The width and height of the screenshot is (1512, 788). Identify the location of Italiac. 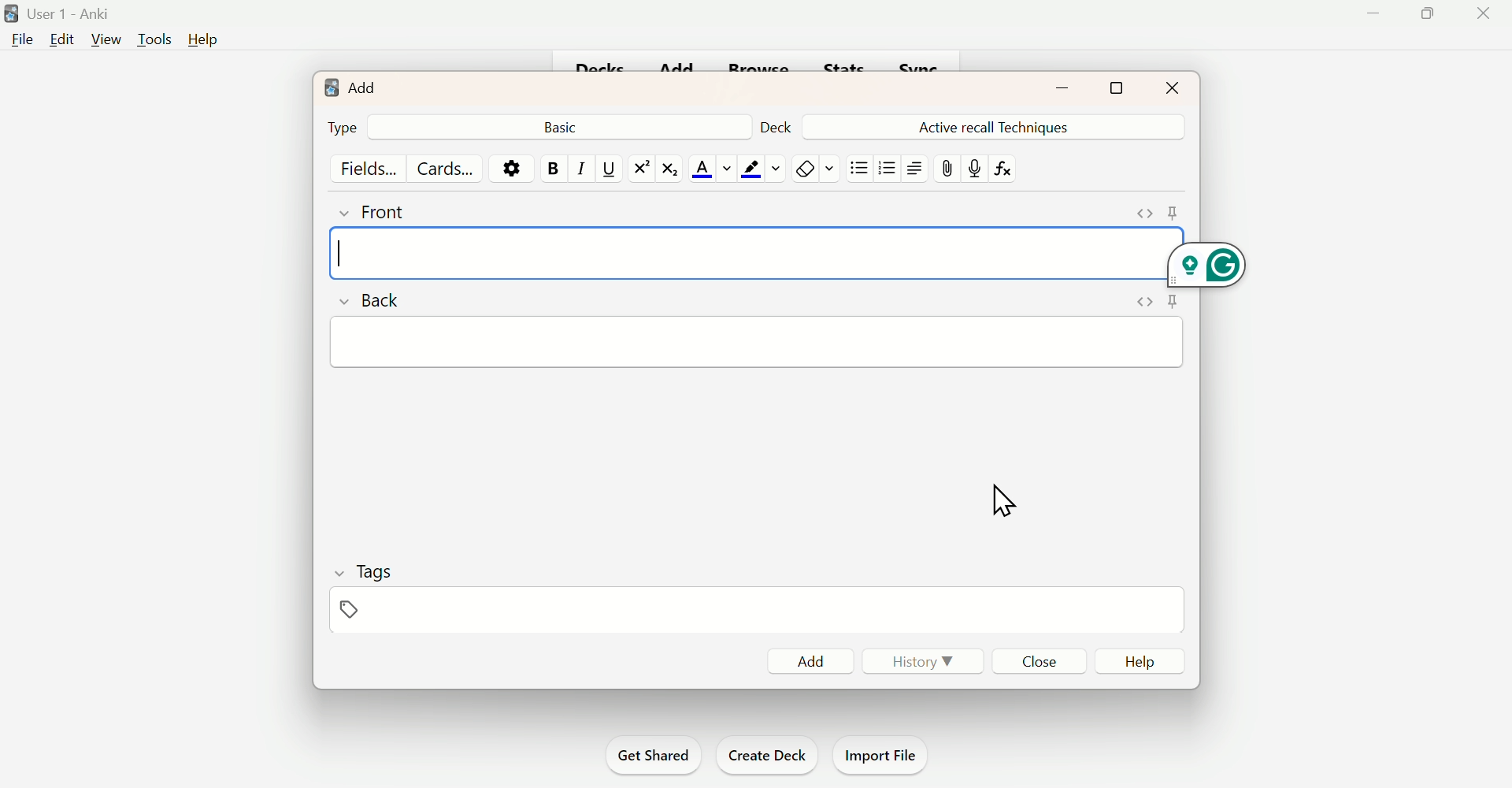
(576, 167).